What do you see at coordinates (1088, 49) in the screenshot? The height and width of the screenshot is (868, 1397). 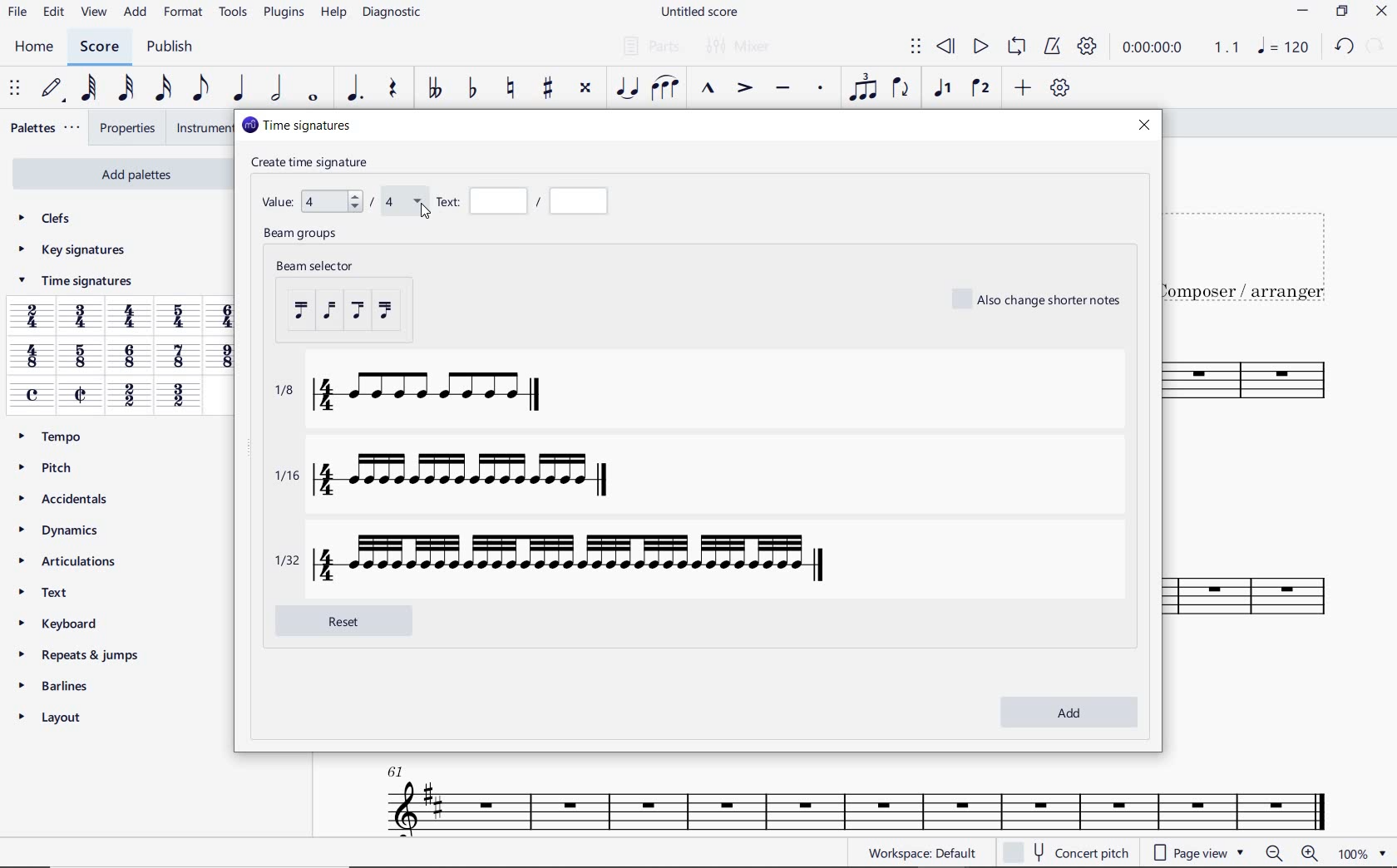 I see `PLAYBACK SETTINGS` at bounding box center [1088, 49].